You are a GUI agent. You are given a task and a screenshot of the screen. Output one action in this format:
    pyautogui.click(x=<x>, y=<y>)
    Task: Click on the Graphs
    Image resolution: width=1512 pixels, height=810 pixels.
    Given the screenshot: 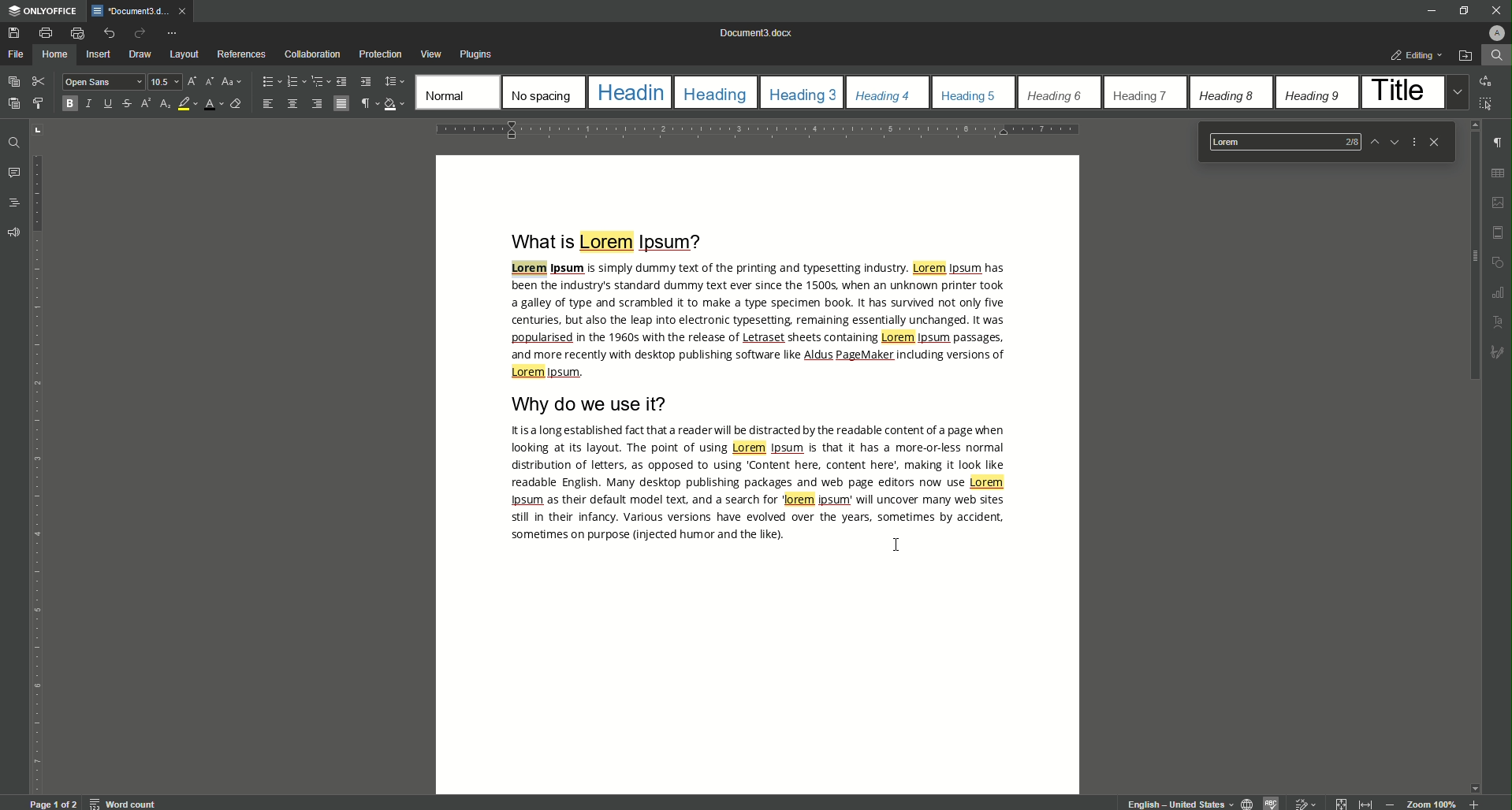 What is the action you would take?
    pyautogui.click(x=1501, y=291)
    